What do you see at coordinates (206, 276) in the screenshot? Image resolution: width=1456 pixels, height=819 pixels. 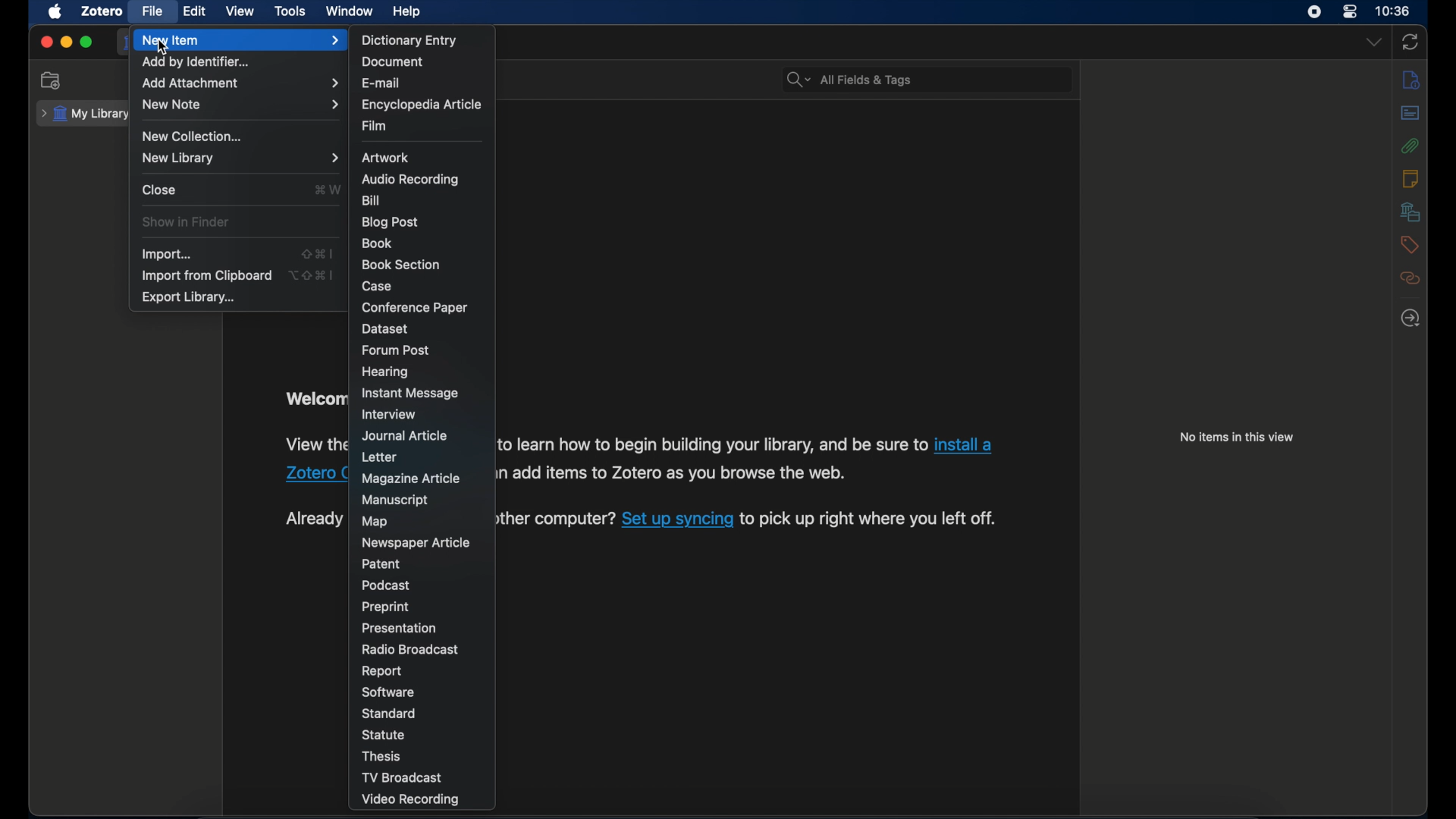 I see `import from clipboard` at bounding box center [206, 276].